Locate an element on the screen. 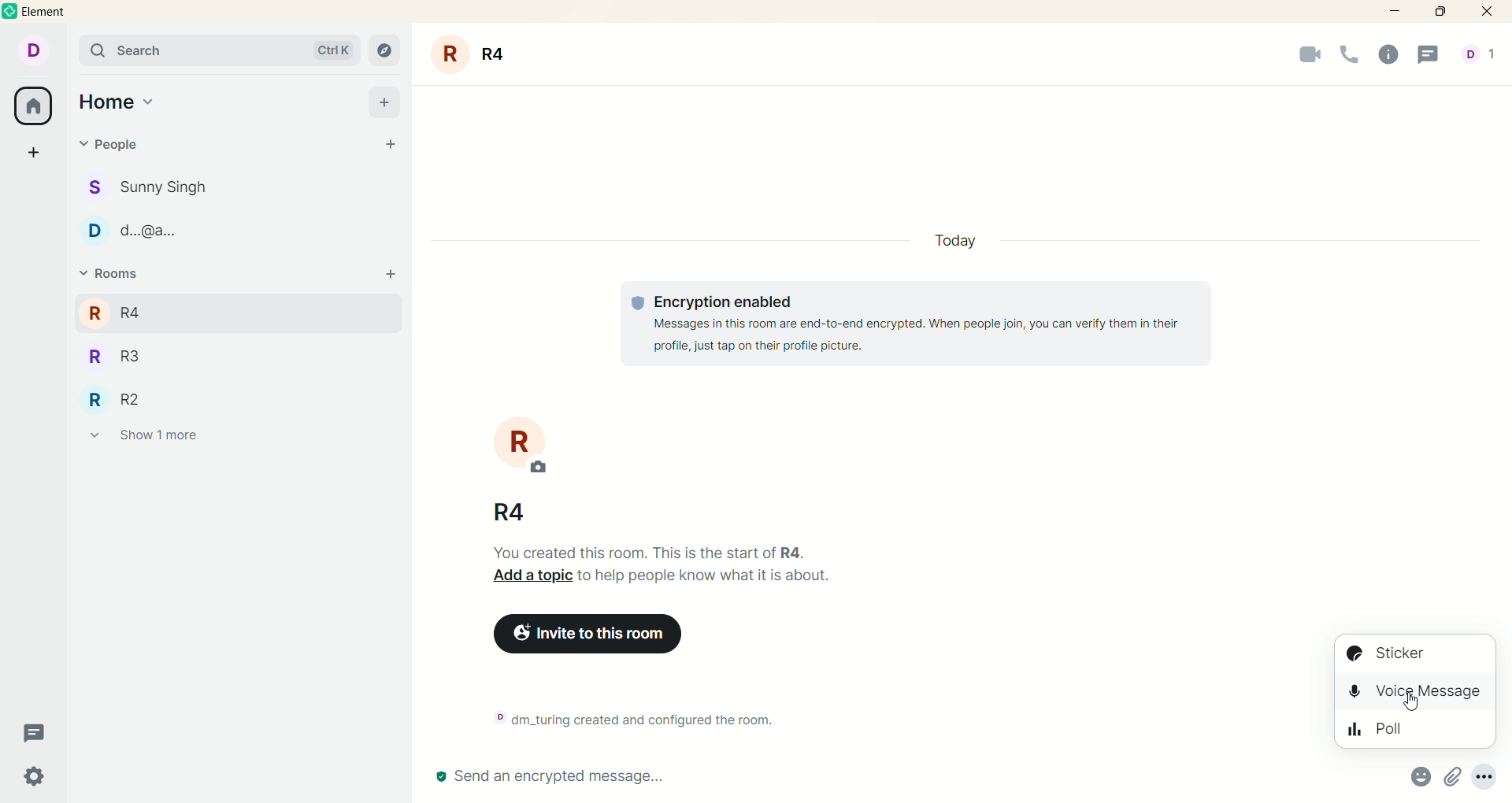 This screenshot has height=803, width=1512. voice message is located at coordinates (1417, 698).